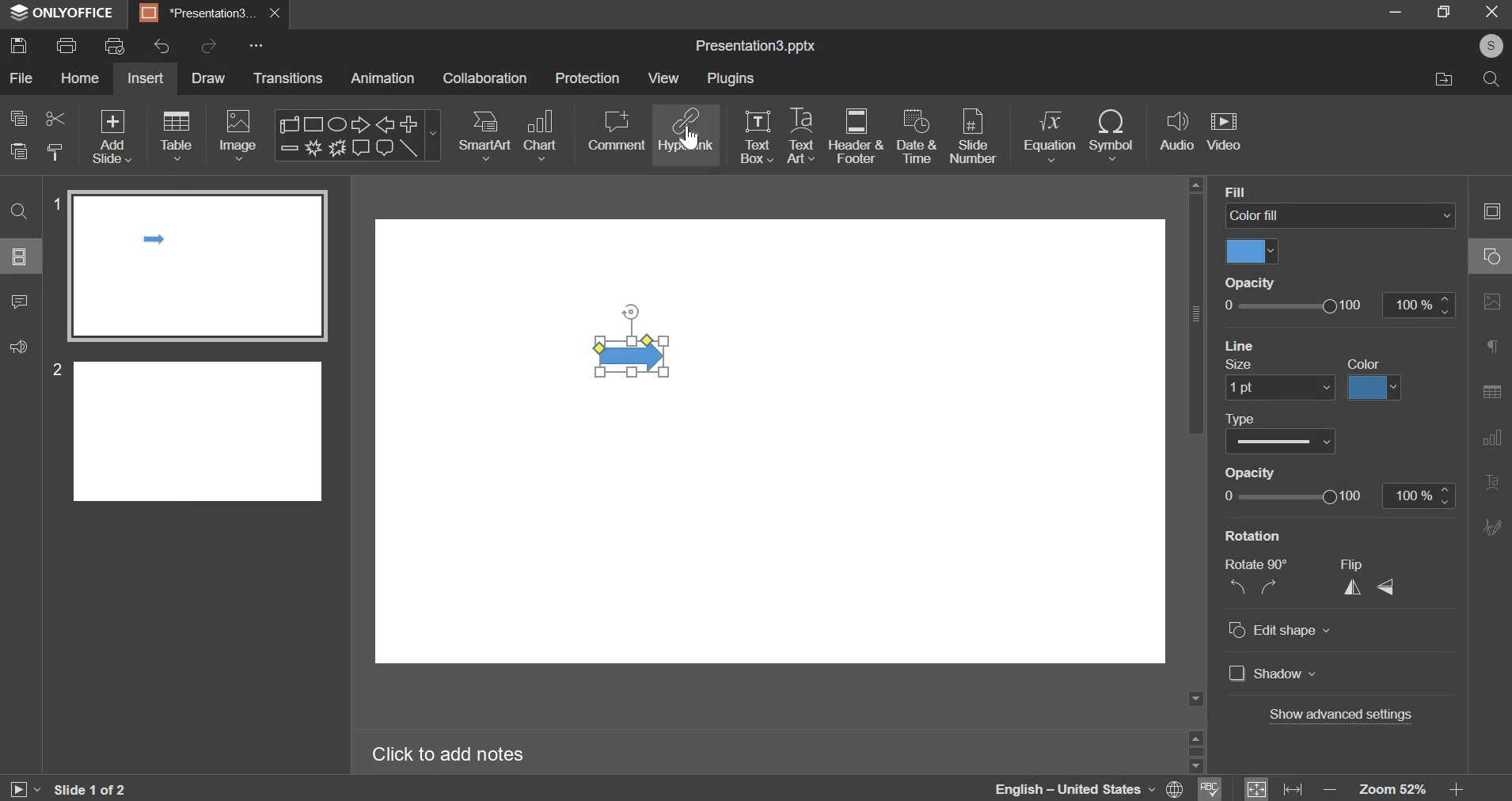 The width and height of the screenshot is (1512, 801). Describe the element at coordinates (115, 45) in the screenshot. I see `print preview` at that location.